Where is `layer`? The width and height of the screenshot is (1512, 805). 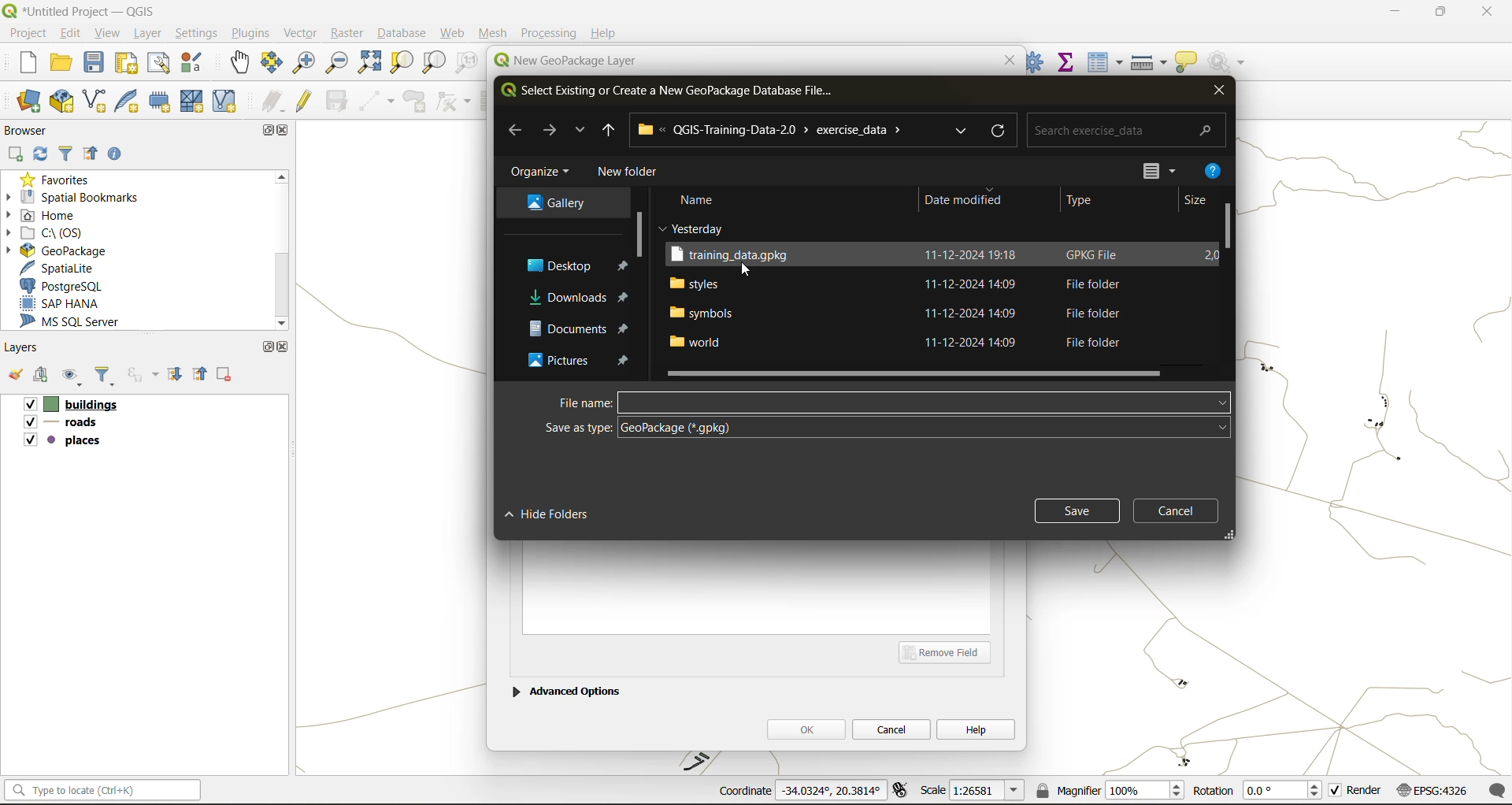 layer is located at coordinates (151, 34).